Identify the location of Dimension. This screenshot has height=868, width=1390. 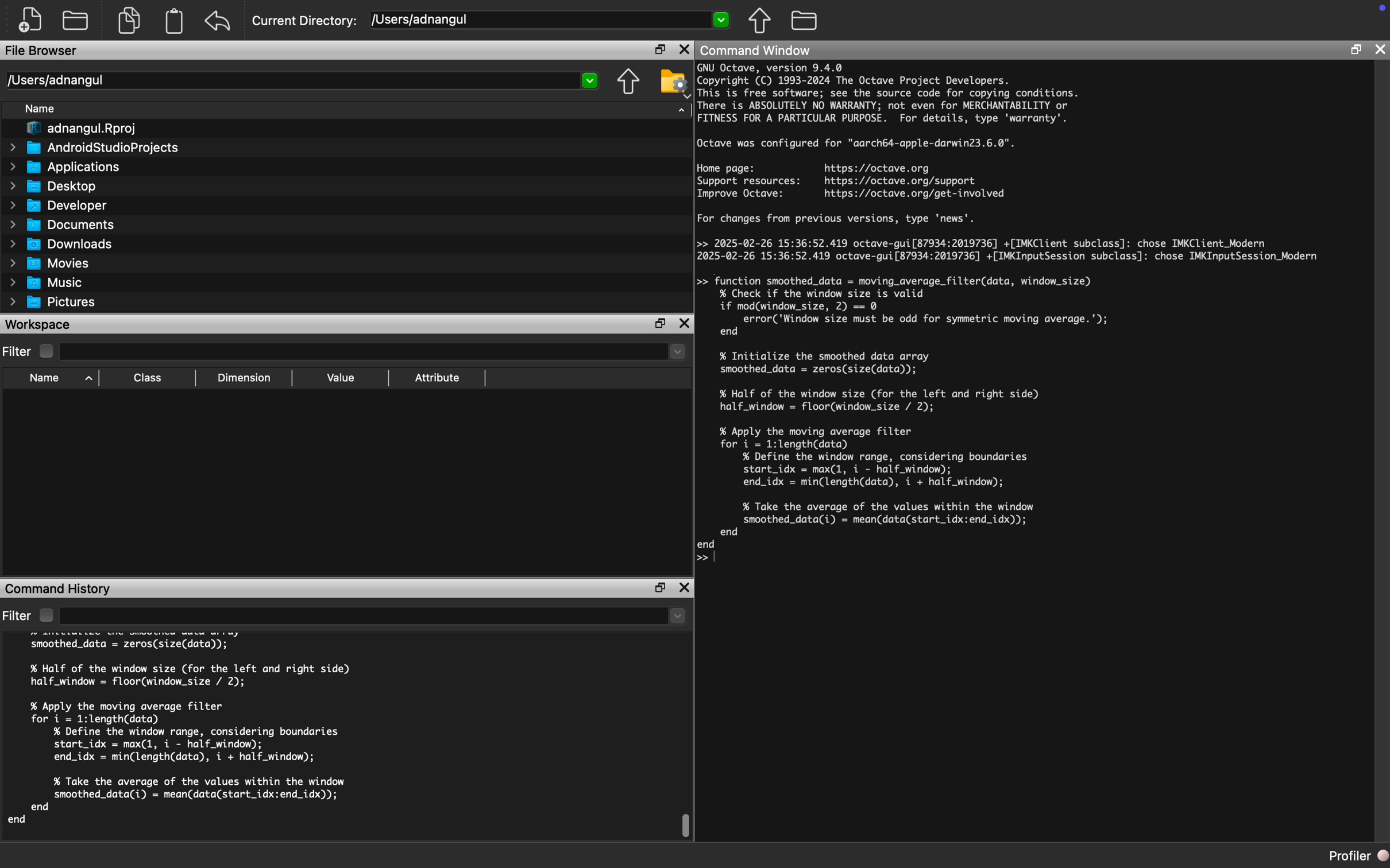
(245, 378).